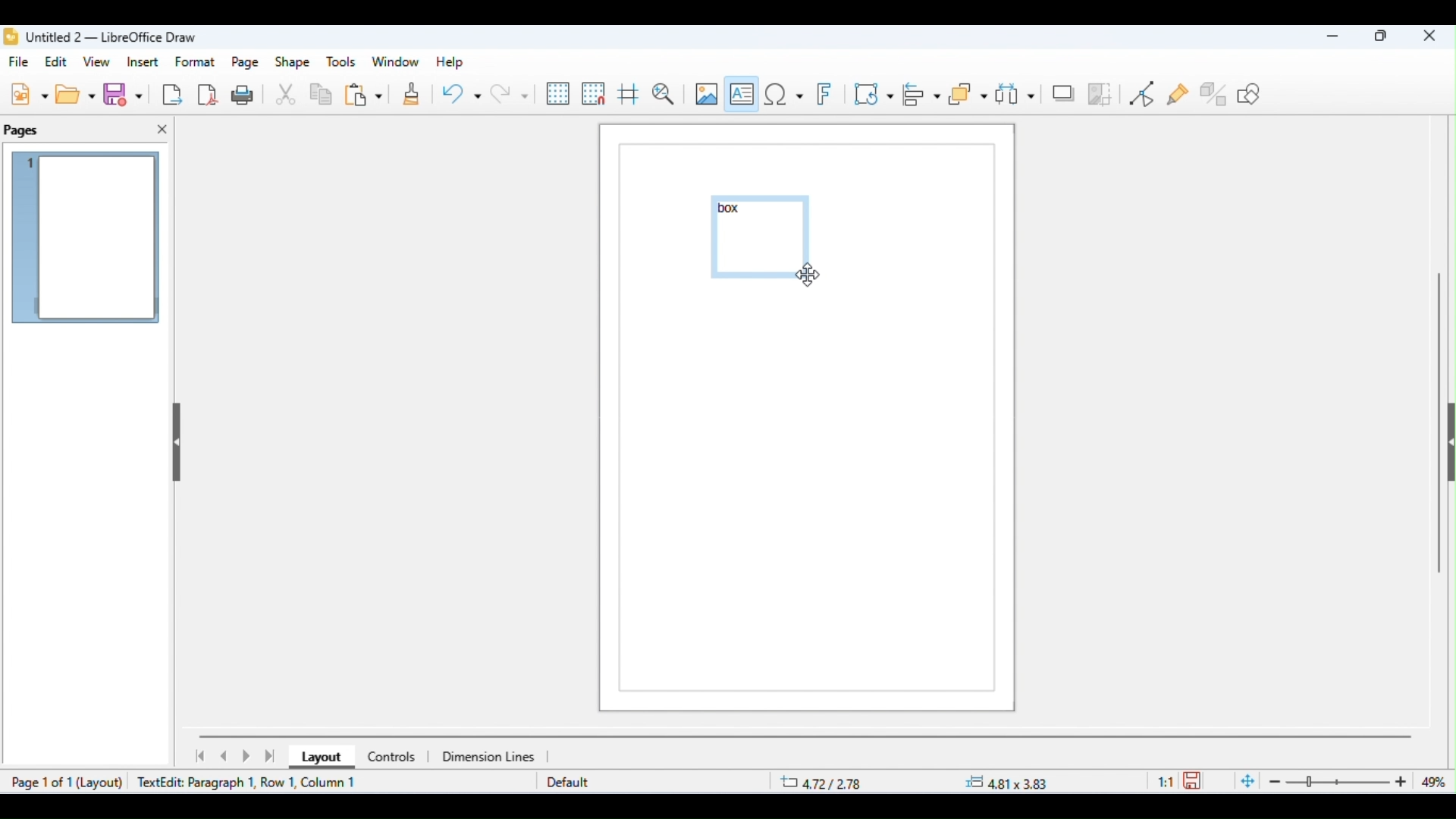  What do you see at coordinates (199, 756) in the screenshot?
I see `first page` at bounding box center [199, 756].